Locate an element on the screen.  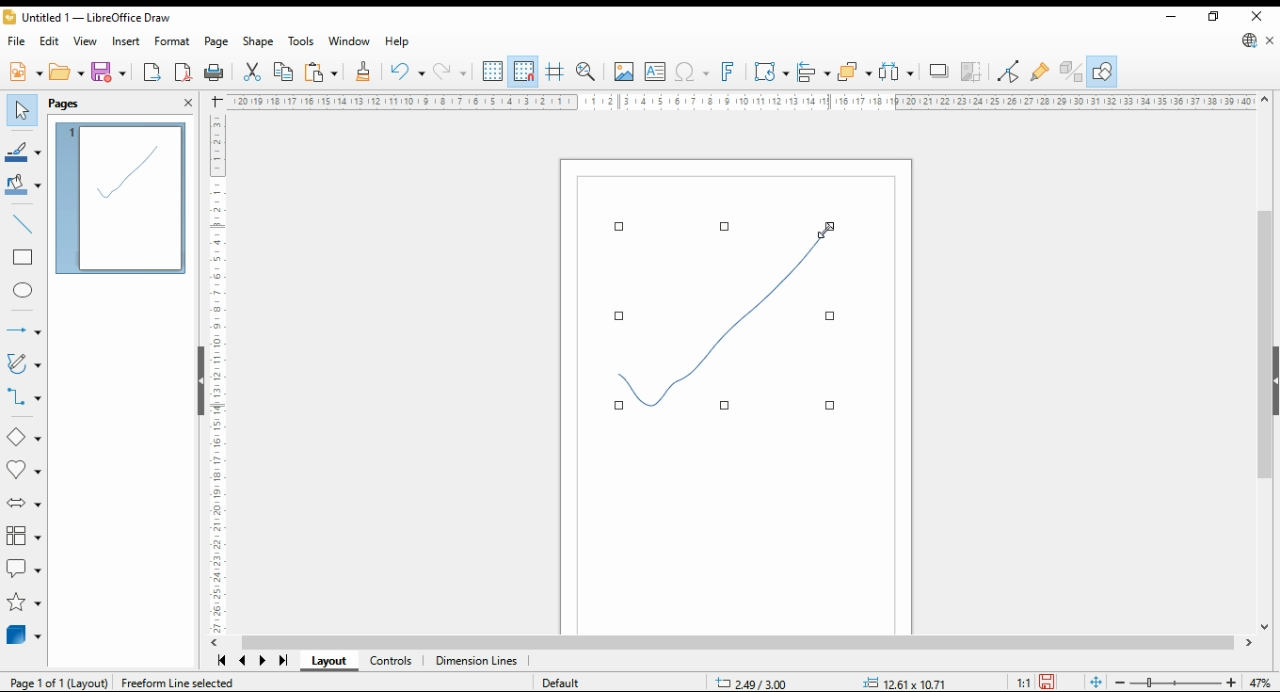
shape is located at coordinates (259, 41).